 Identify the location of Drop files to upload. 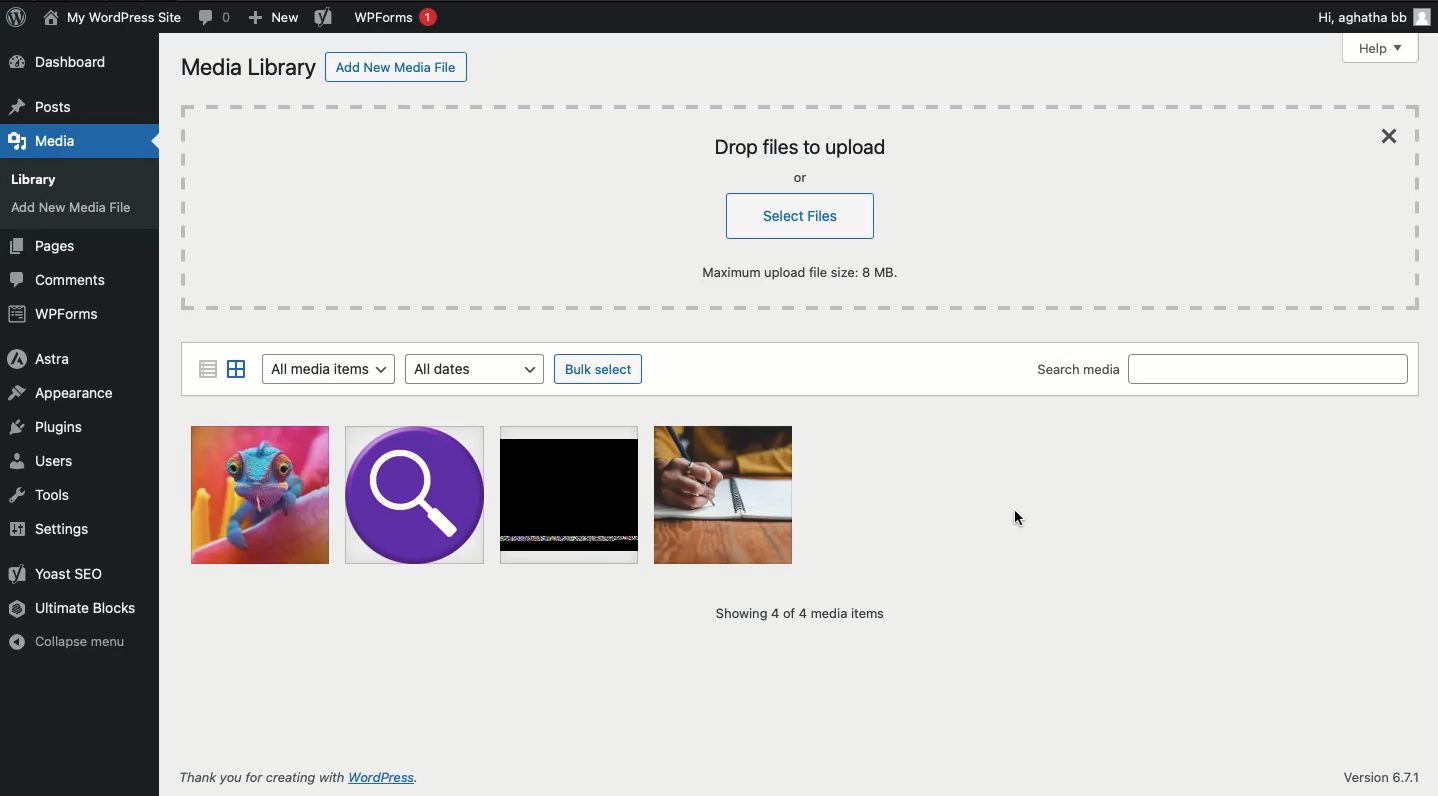
(799, 148).